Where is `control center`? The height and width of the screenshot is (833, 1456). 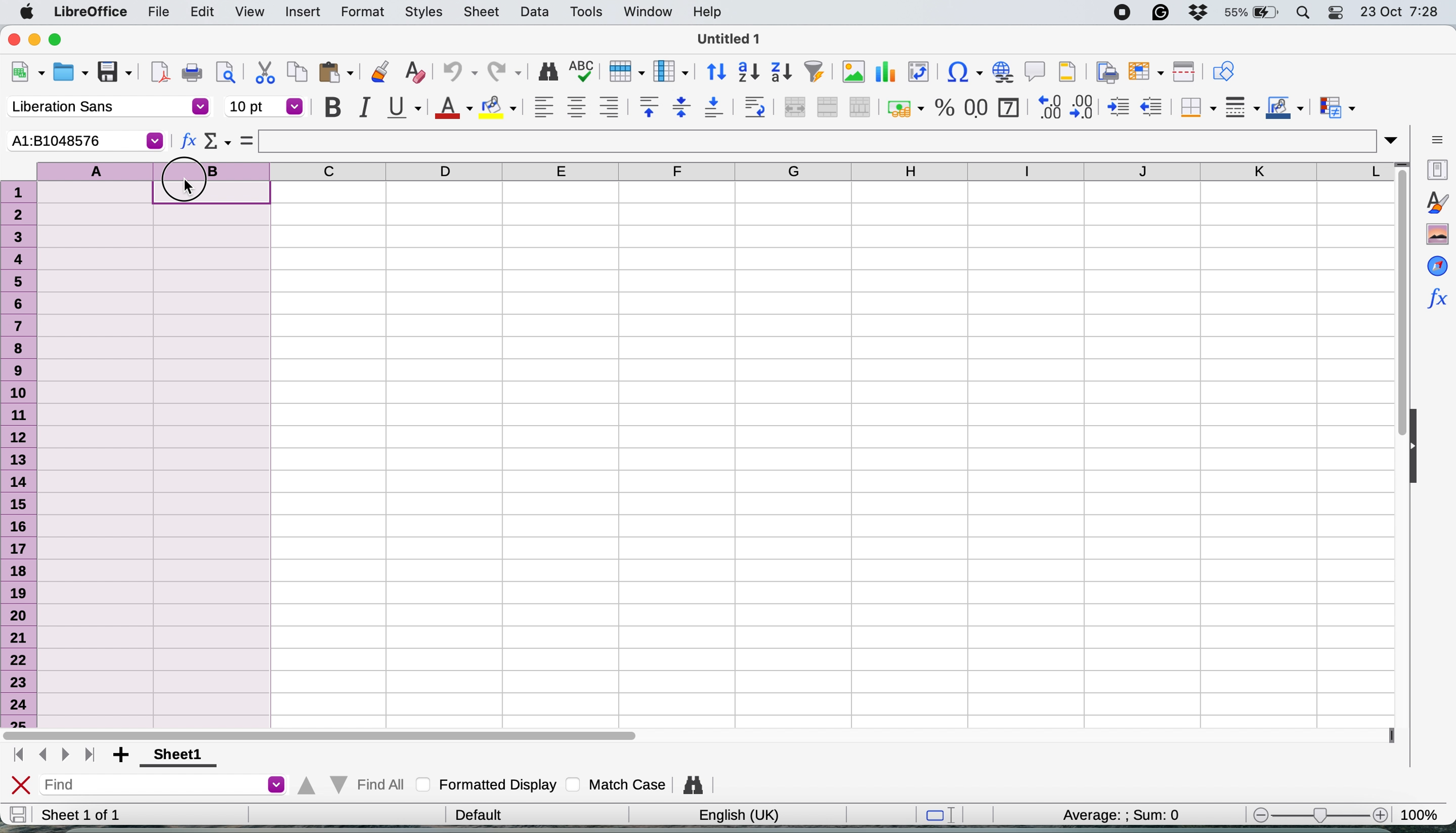 control center is located at coordinates (1334, 12).